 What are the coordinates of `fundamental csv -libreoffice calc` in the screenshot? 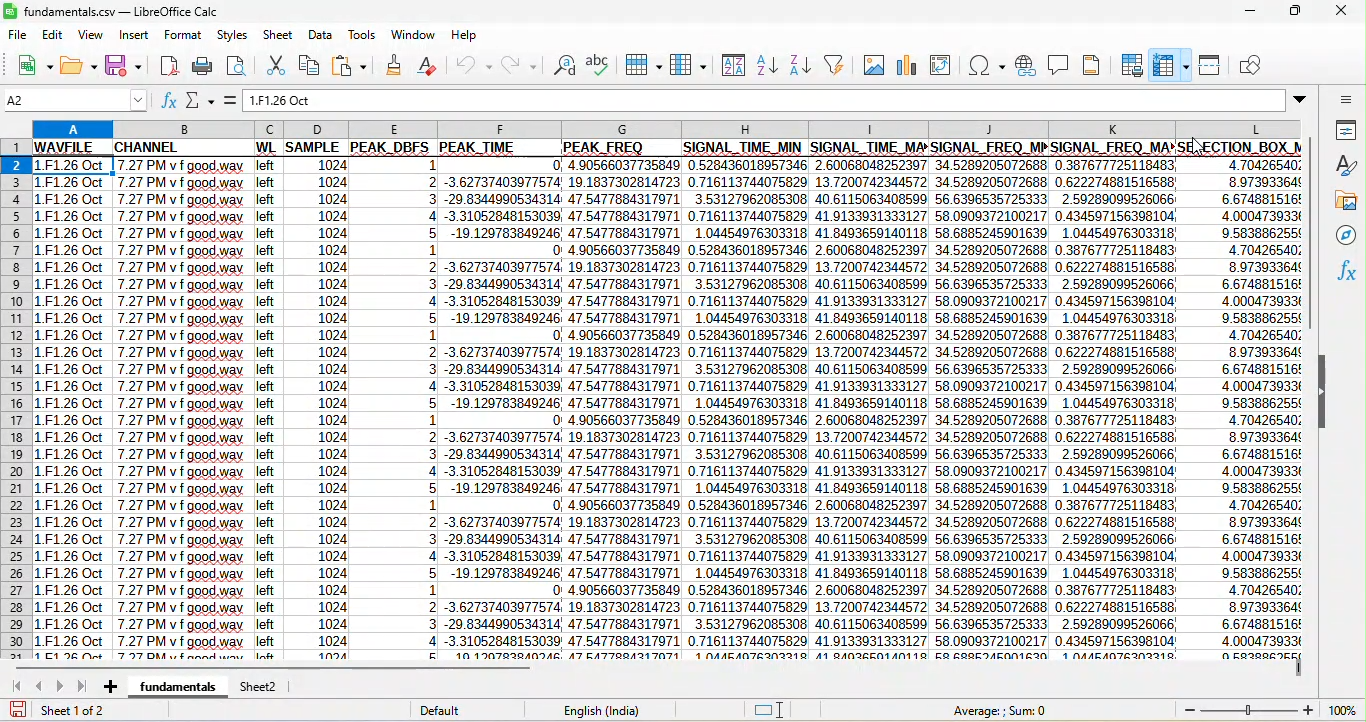 It's located at (118, 9).